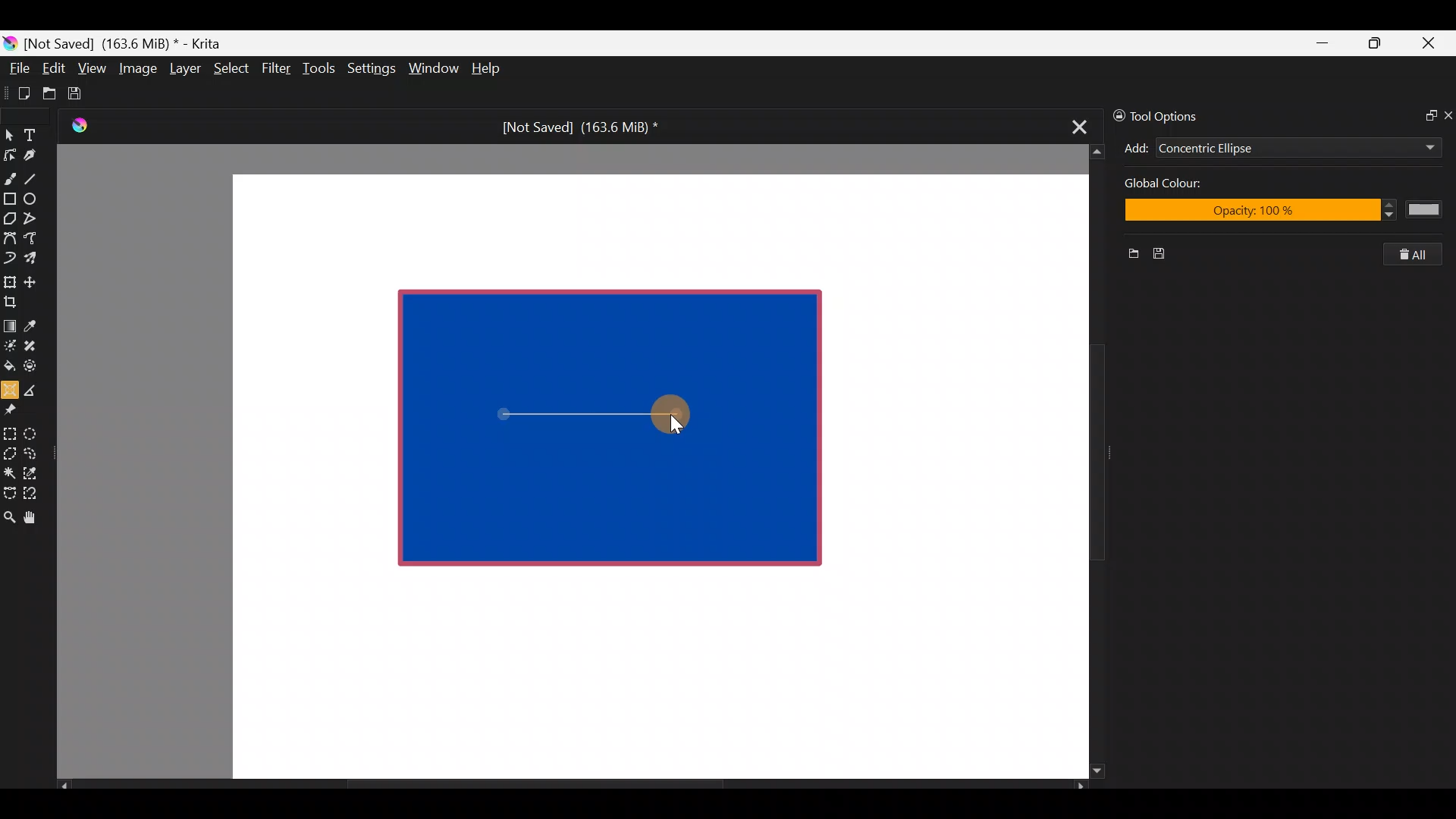 This screenshot has width=1456, height=819. What do you see at coordinates (10, 344) in the screenshot?
I see `Colourise mask tool` at bounding box center [10, 344].